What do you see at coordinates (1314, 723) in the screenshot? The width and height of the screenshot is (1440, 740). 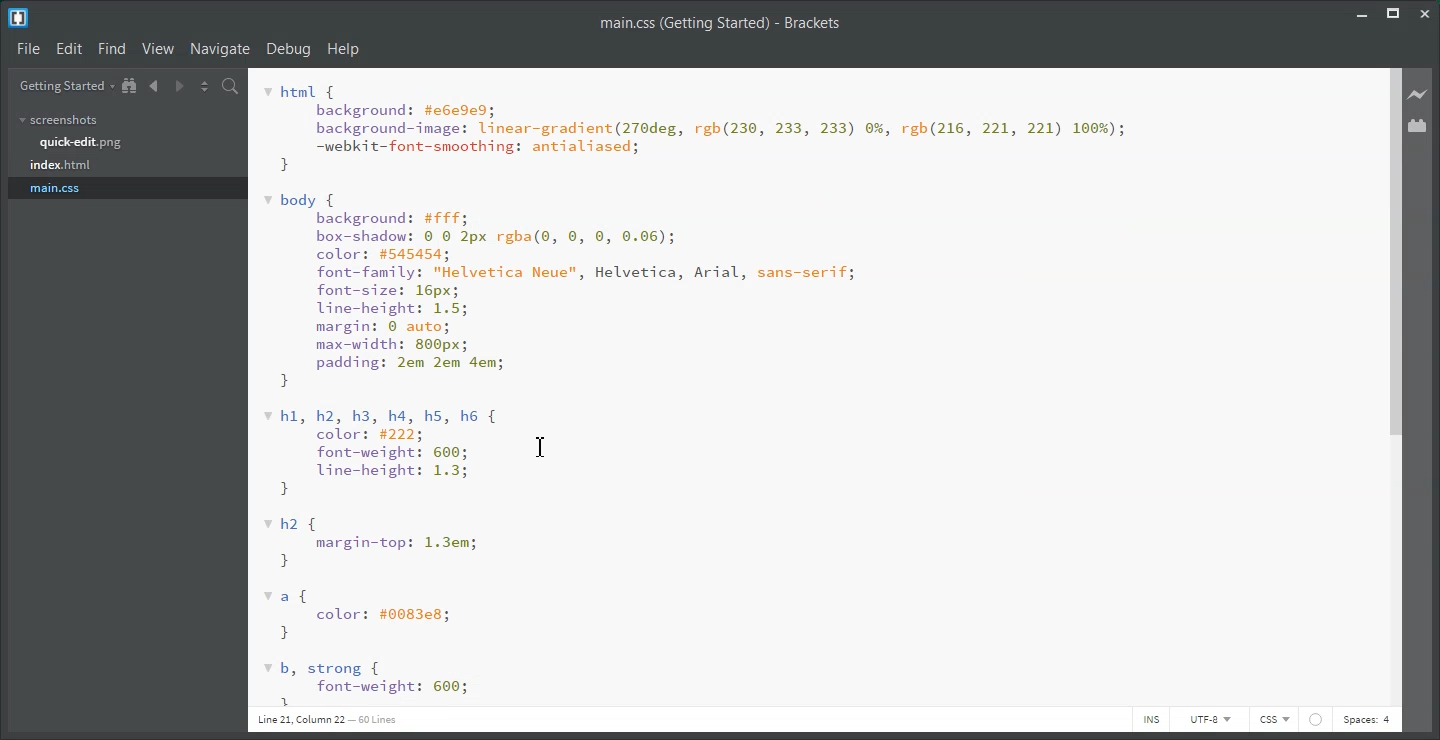 I see `web` at bounding box center [1314, 723].